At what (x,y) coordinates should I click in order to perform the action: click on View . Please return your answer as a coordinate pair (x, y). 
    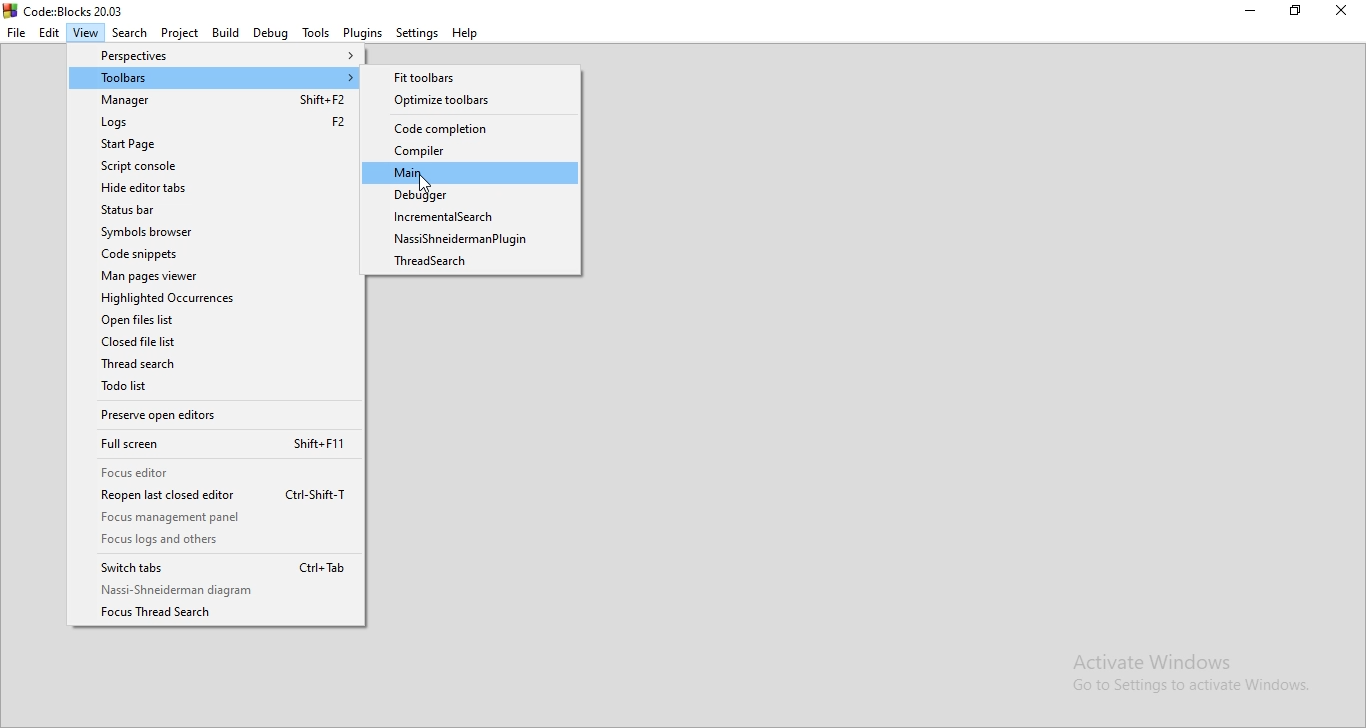
    Looking at the image, I should click on (86, 34).